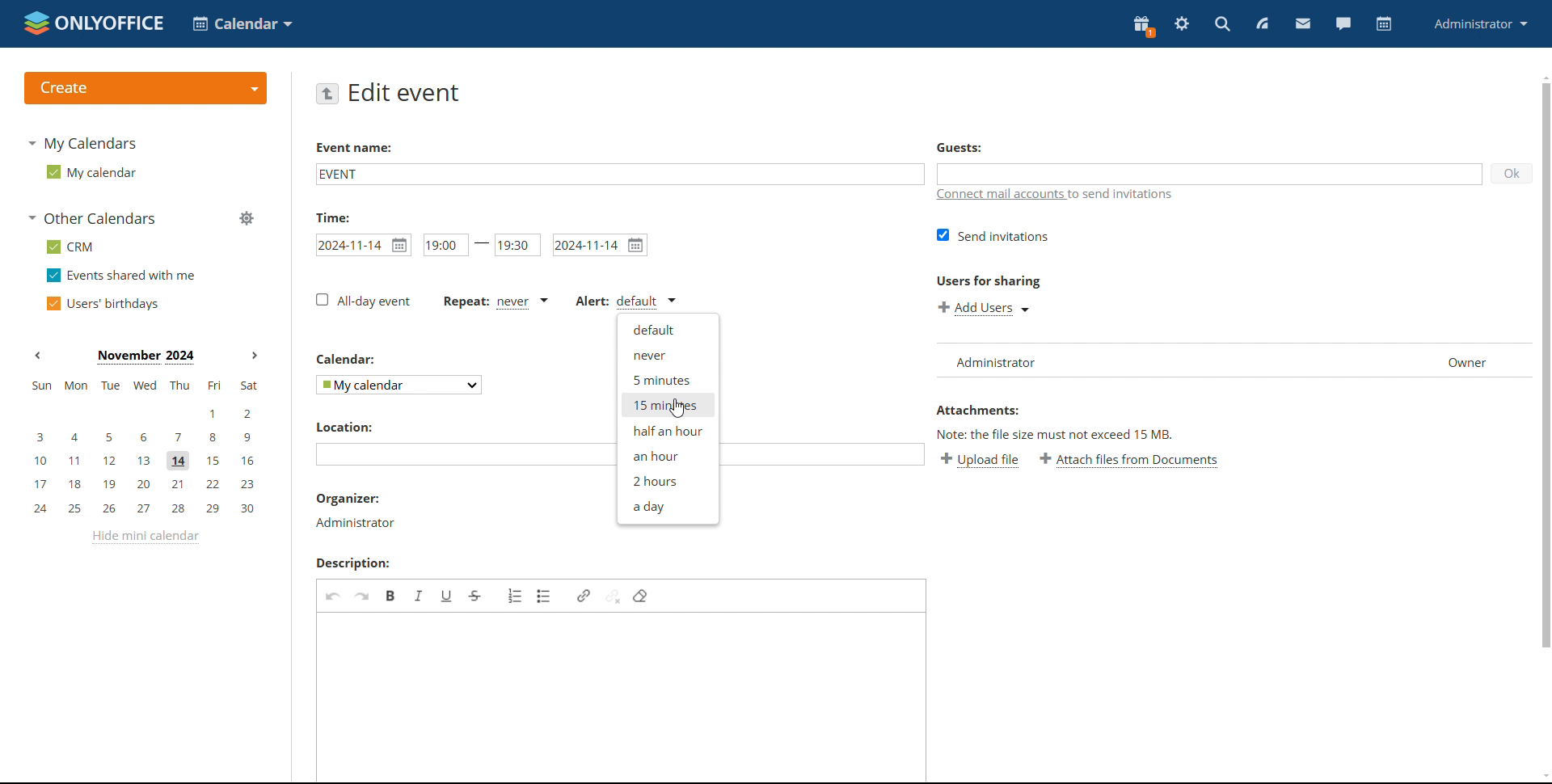 This screenshot has width=1552, height=784. Describe the element at coordinates (361, 301) in the screenshot. I see `all-day event checkbox` at that location.